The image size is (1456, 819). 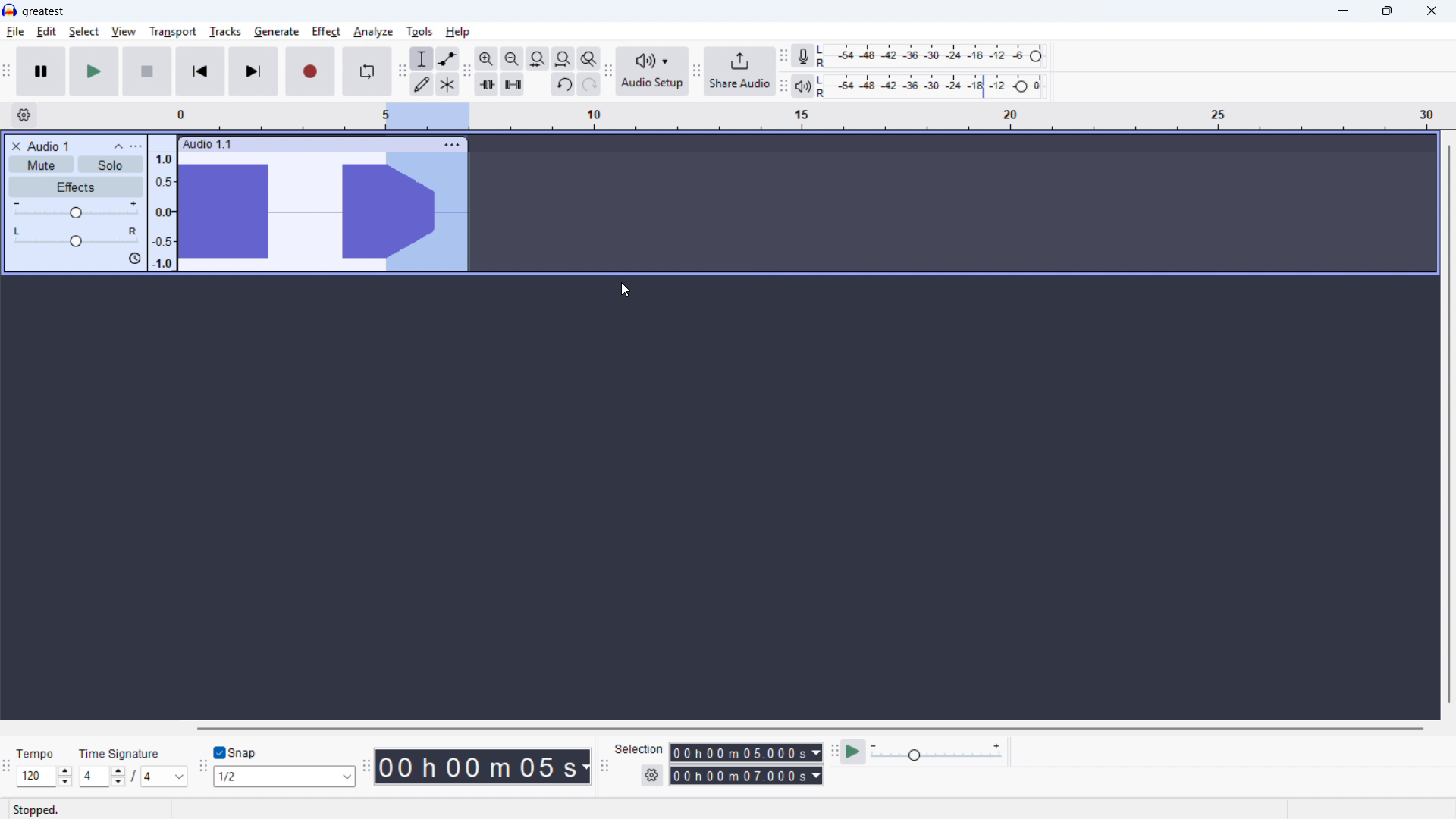 I want to click on Toggle zoom , so click(x=589, y=58).